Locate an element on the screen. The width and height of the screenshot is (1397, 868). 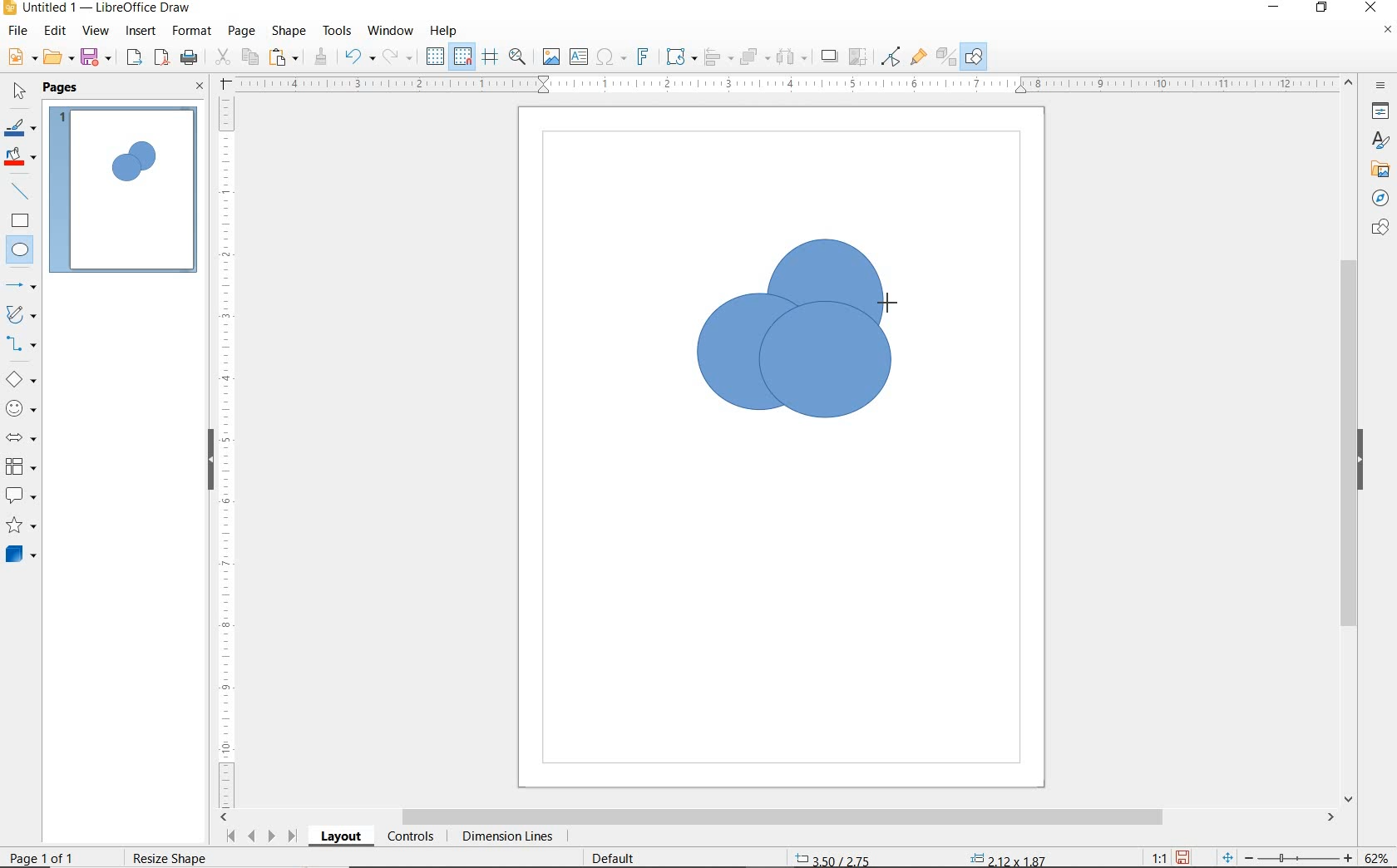
GALLERY is located at coordinates (1378, 170).